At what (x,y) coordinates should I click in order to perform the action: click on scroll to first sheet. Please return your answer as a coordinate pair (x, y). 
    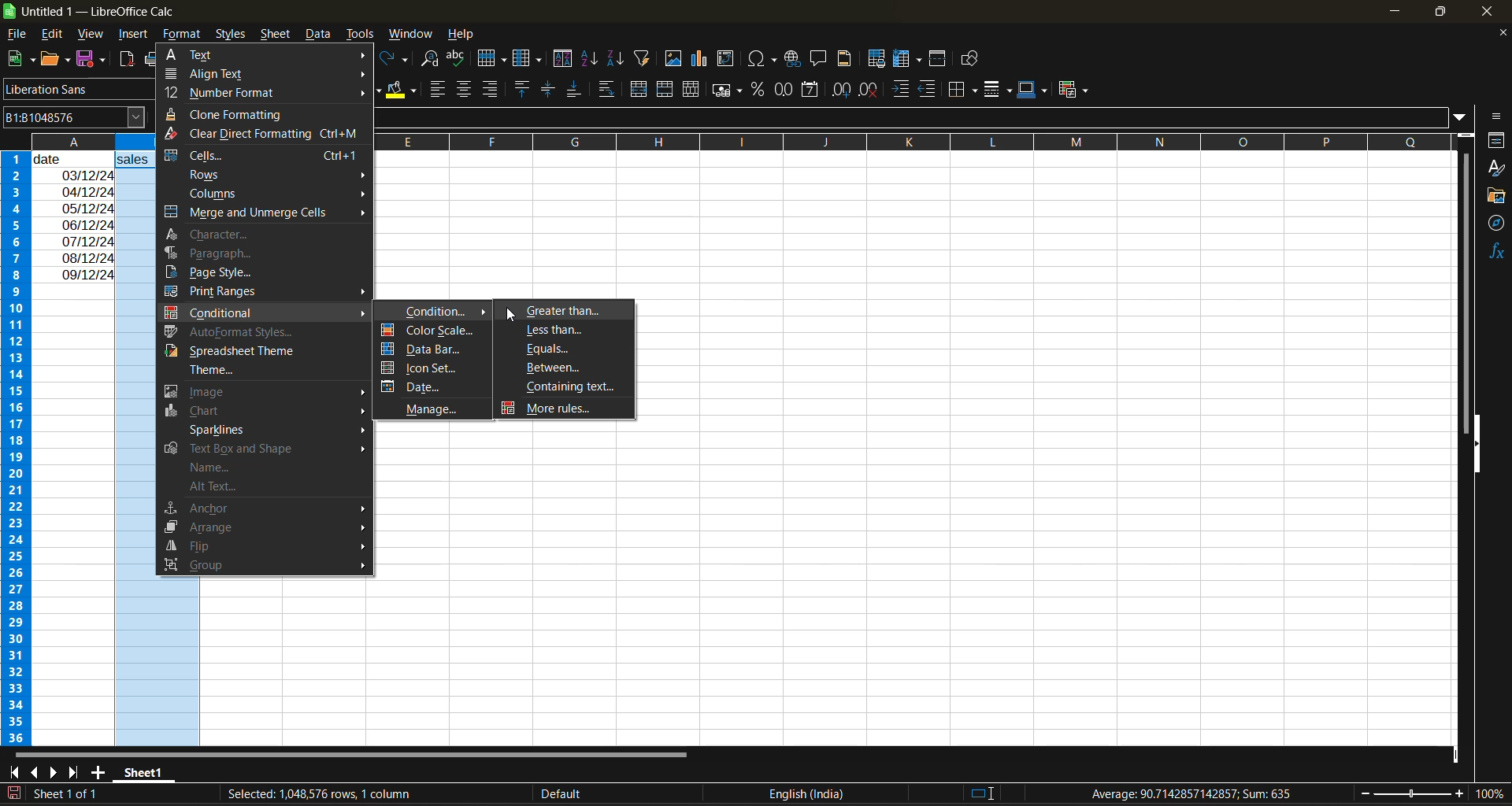
    Looking at the image, I should click on (13, 773).